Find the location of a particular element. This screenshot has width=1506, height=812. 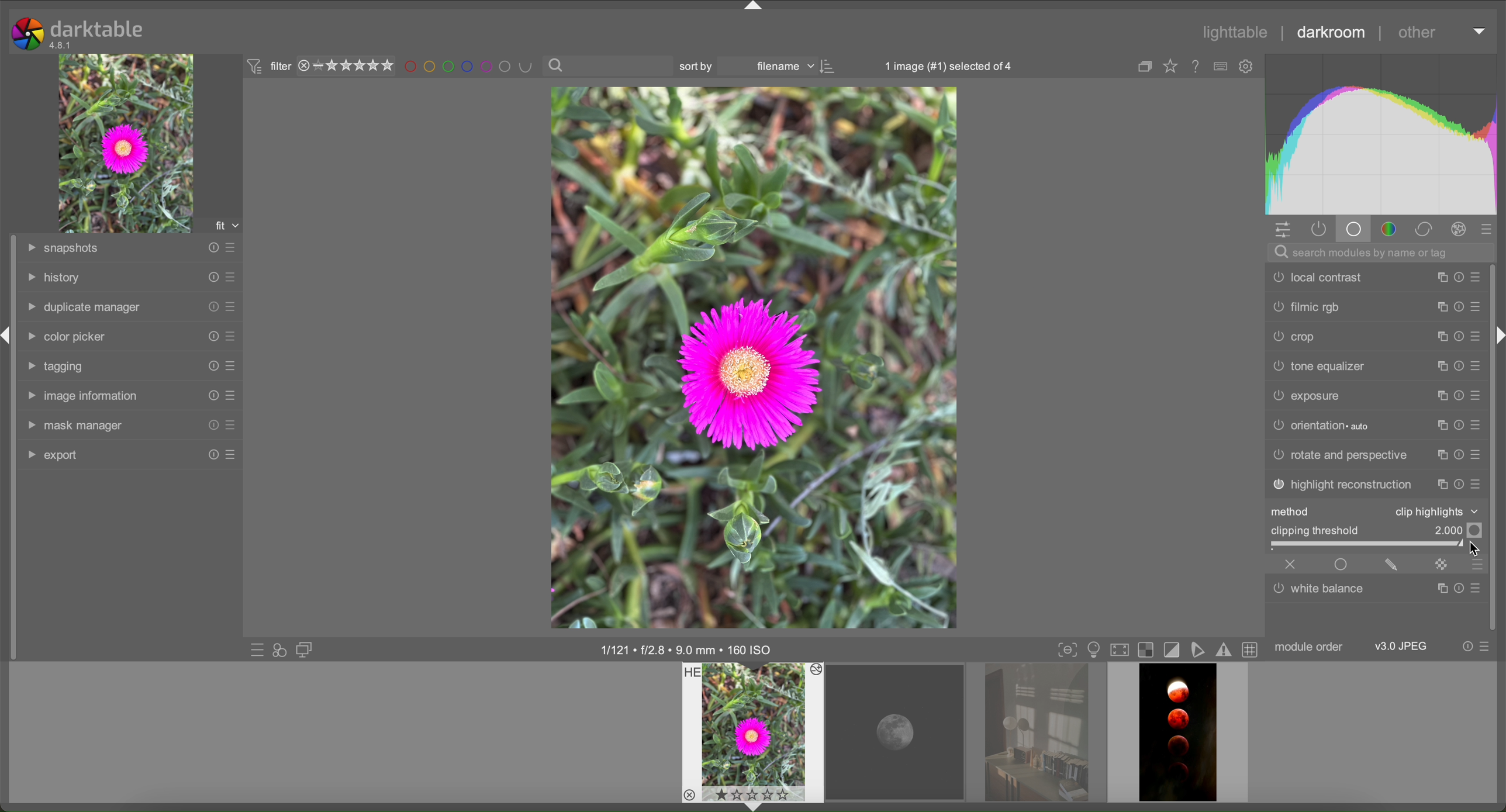

filmic rgb is located at coordinates (1306, 307).